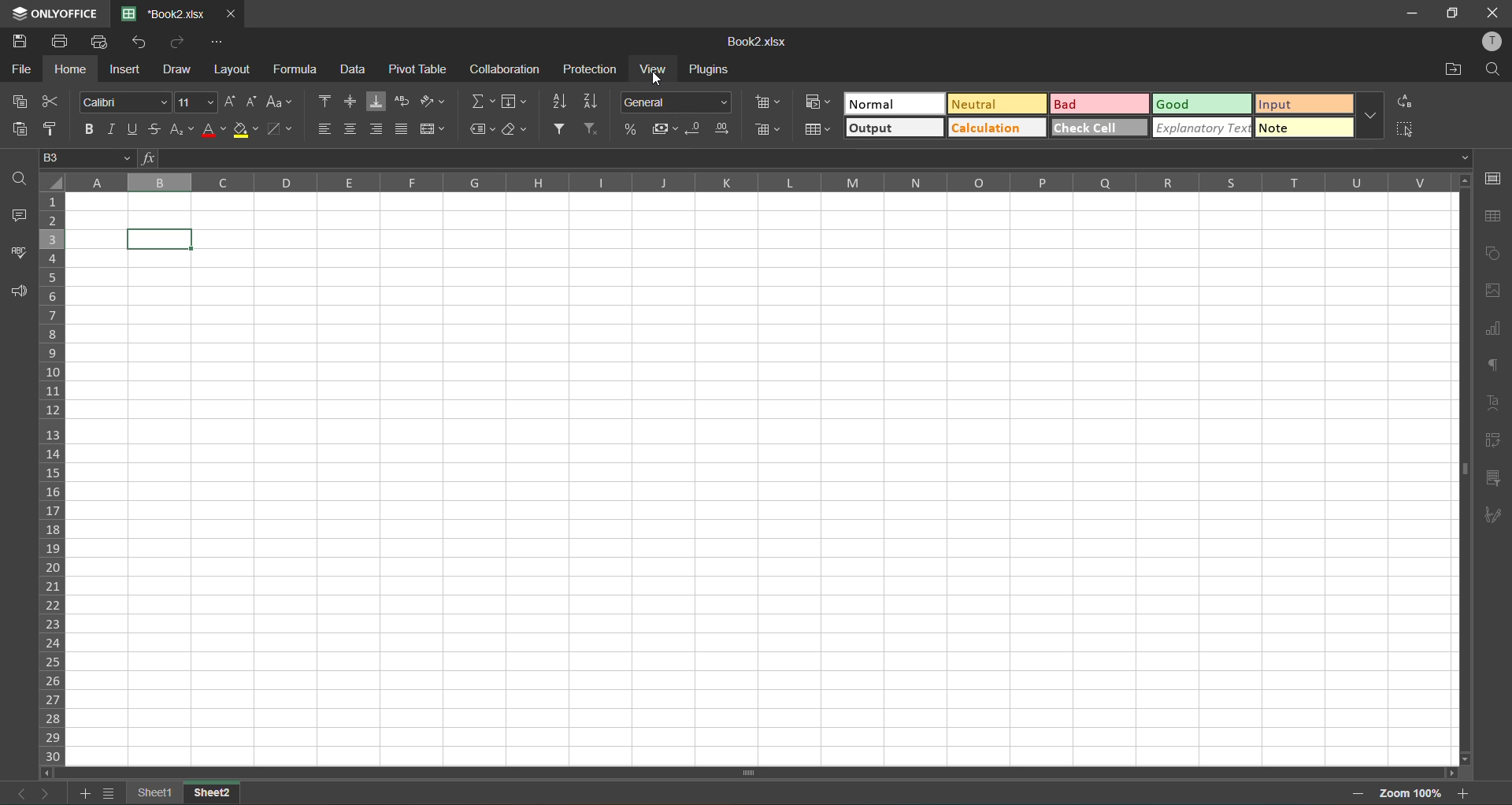 The image size is (1512, 805). What do you see at coordinates (1493, 253) in the screenshot?
I see `shapes` at bounding box center [1493, 253].